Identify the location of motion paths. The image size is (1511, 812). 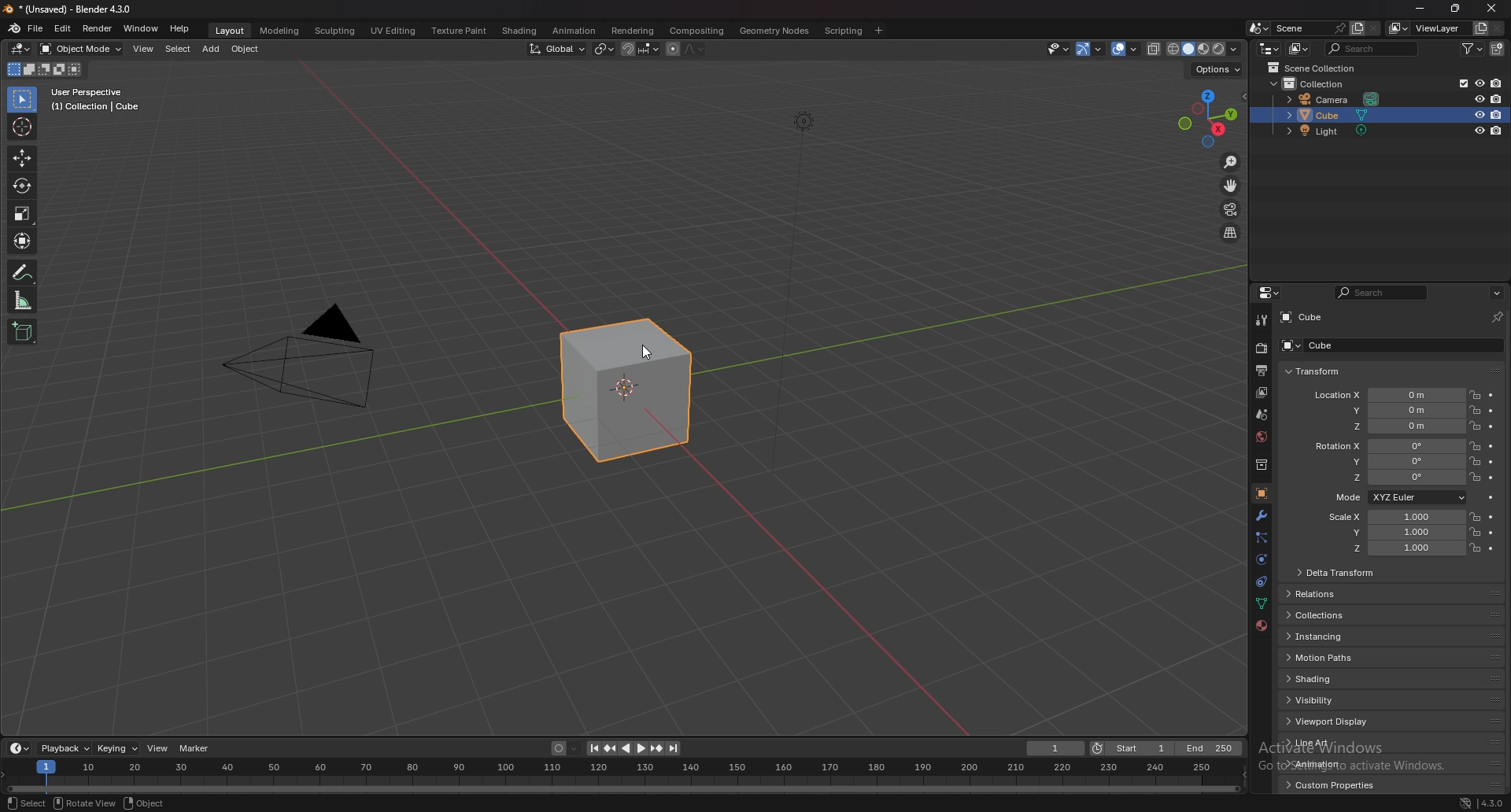
(1334, 657).